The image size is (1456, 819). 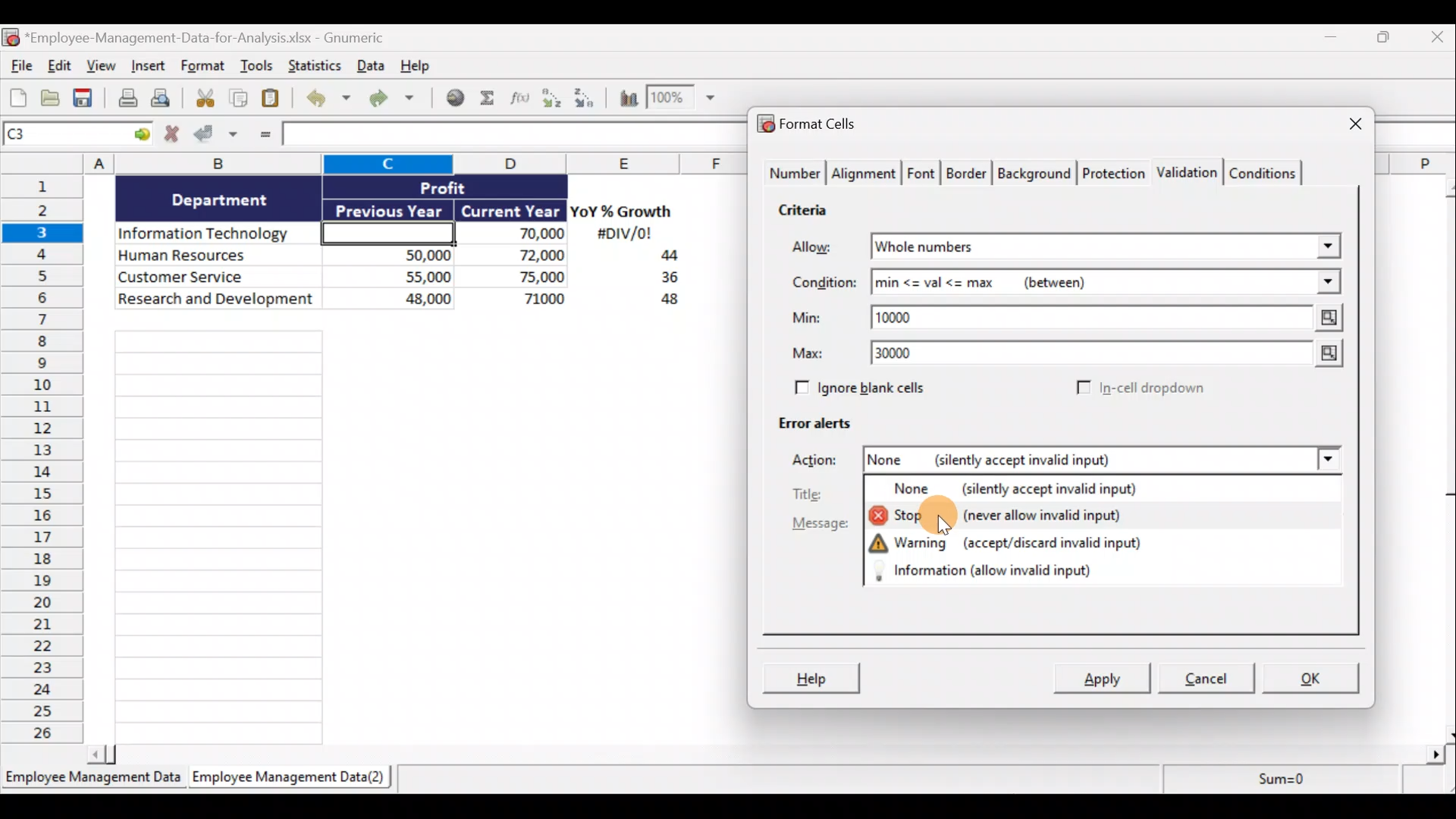 I want to click on Ignore blank cells, so click(x=882, y=388).